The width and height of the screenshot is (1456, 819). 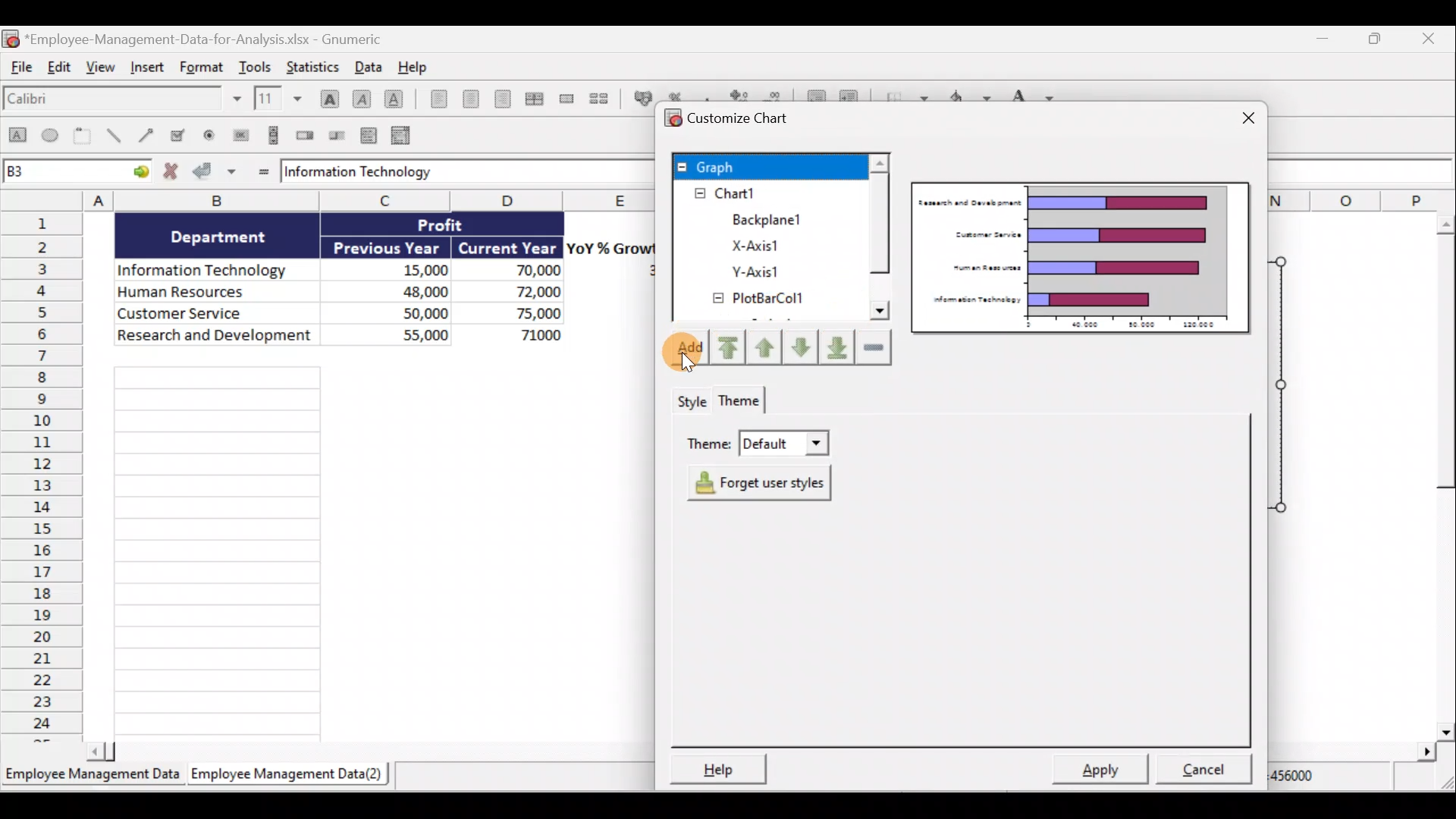 I want to click on Merge a range of cells, so click(x=566, y=99).